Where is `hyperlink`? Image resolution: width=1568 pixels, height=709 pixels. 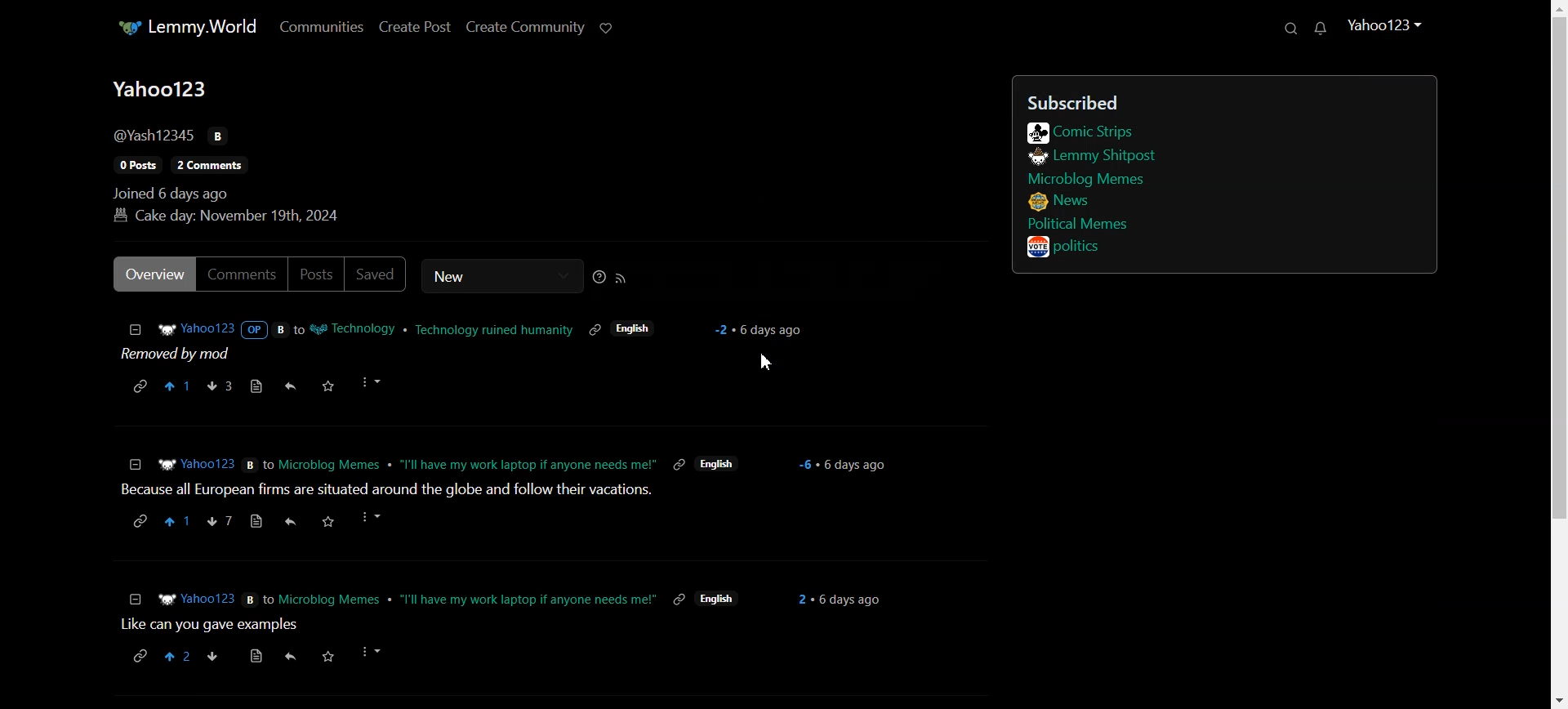 hyperlink is located at coordinates (136, 522).